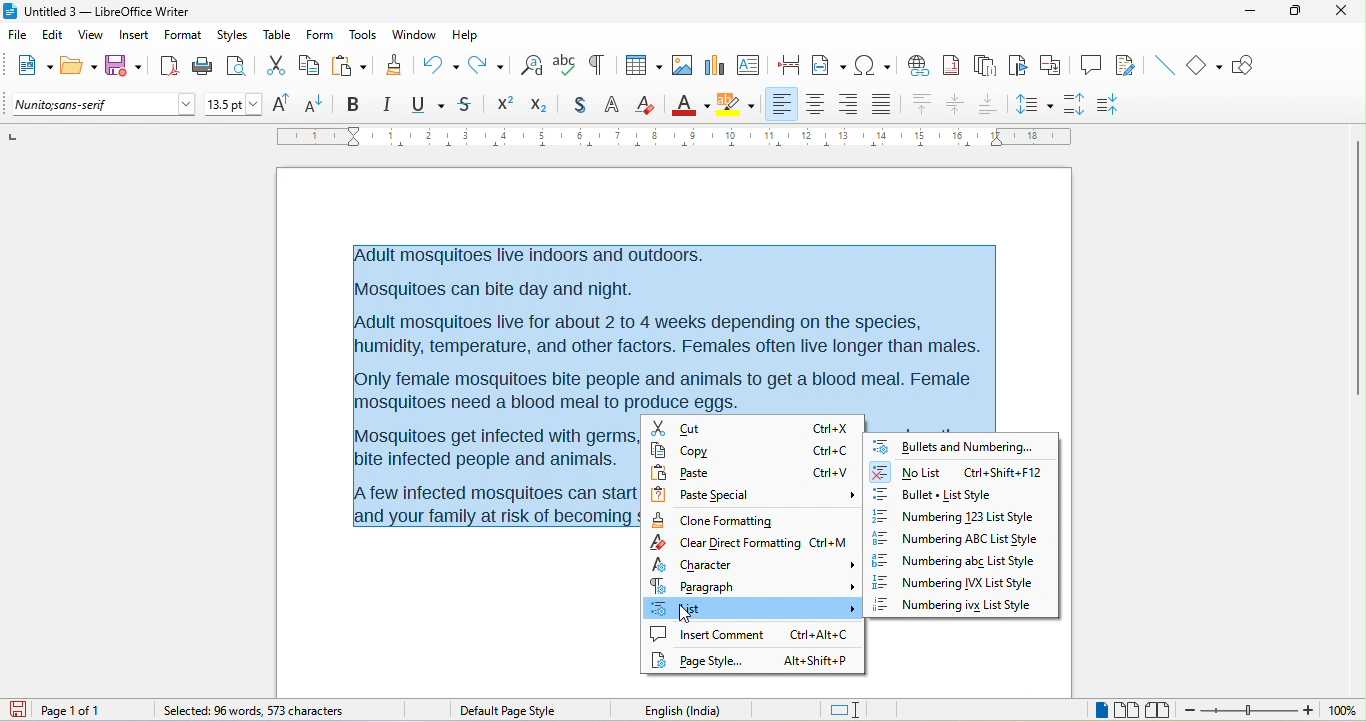 This screenshot has height=722, width=1366. I want to click on tools, so click(365, 36).